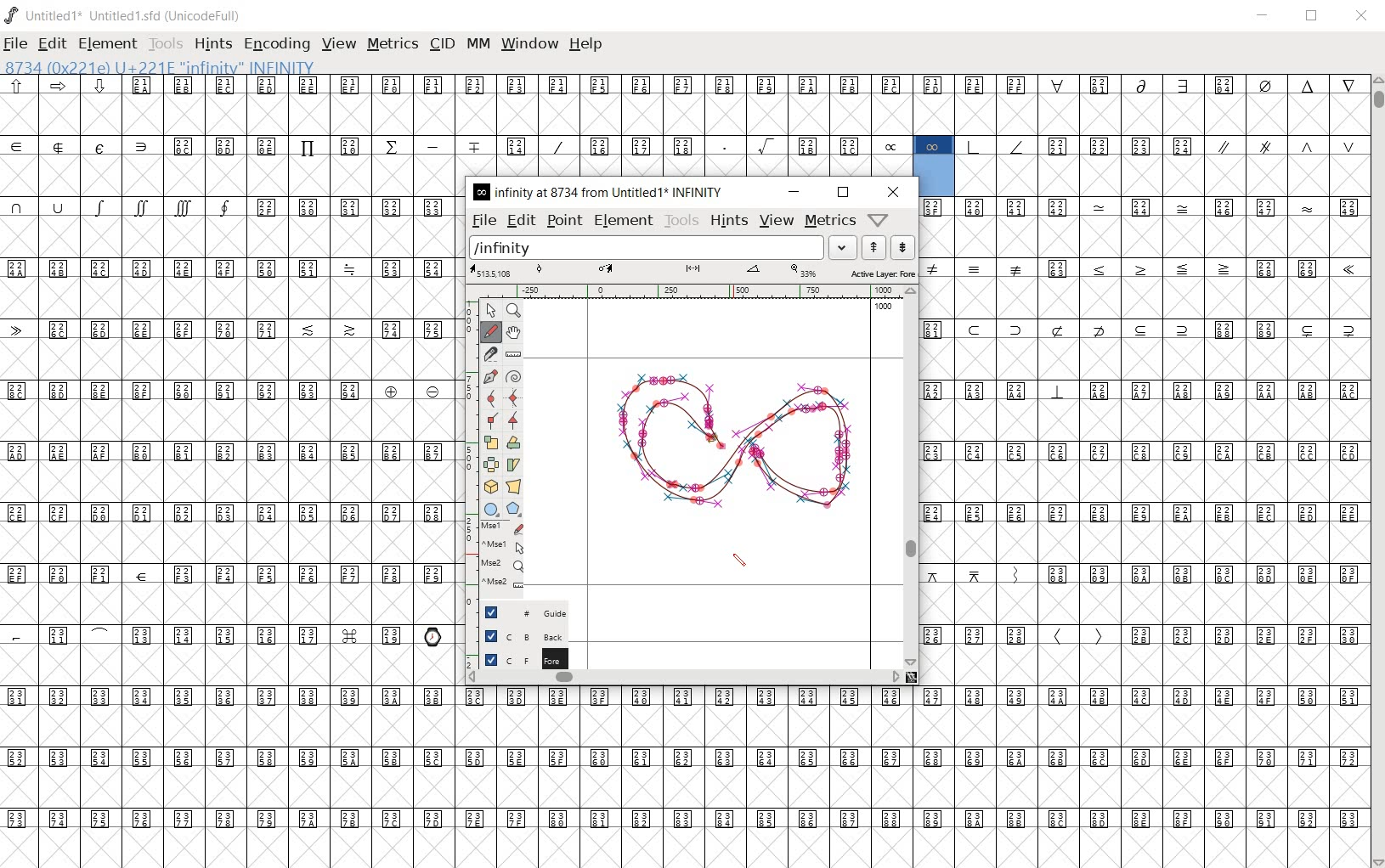 The height and width of the screenshot is (868, 1385). I want to click on tools, so click(681, 221).